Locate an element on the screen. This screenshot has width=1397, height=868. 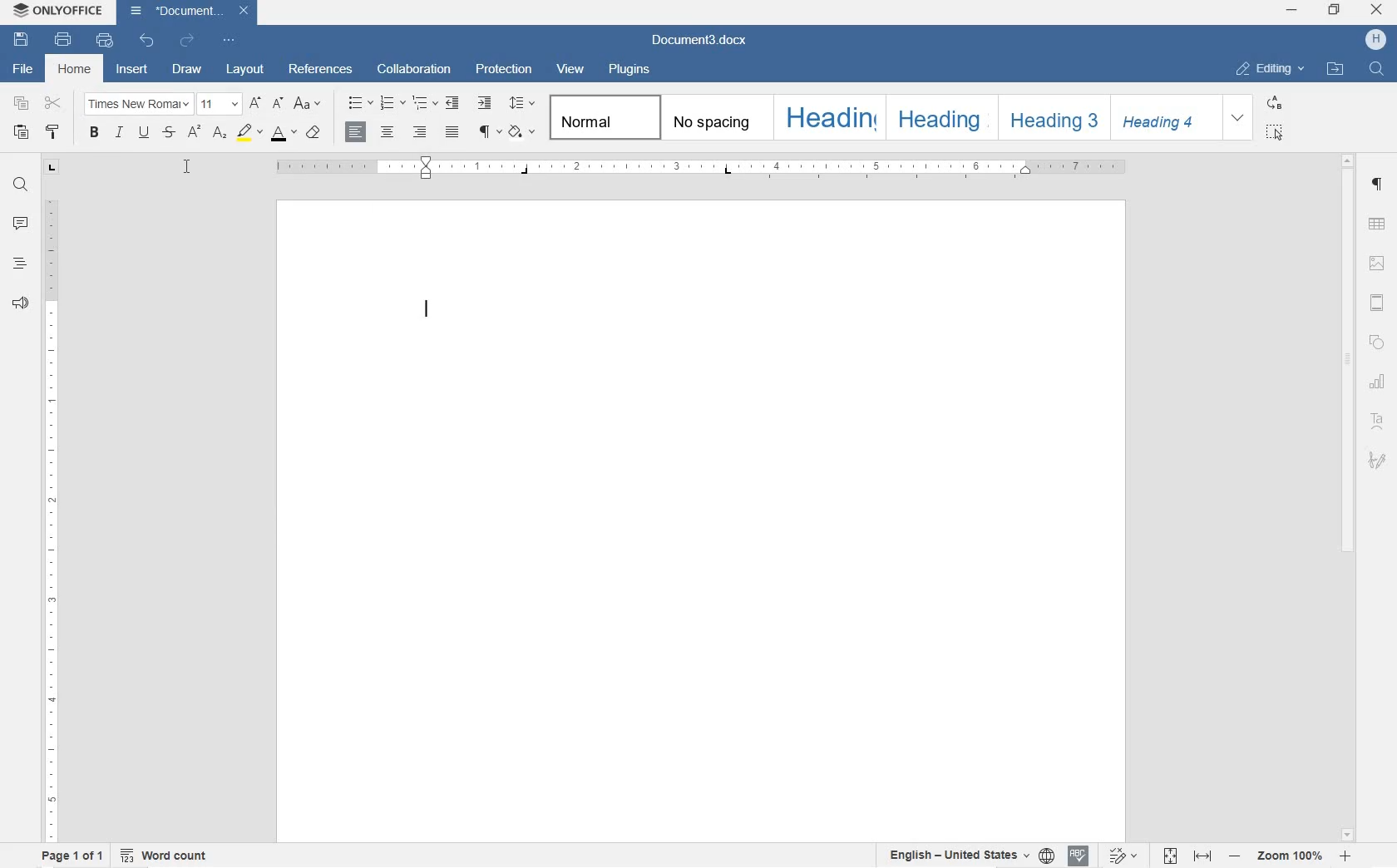
EXPAND FORMATTING STYLE is located at coordinates (1239, 118).